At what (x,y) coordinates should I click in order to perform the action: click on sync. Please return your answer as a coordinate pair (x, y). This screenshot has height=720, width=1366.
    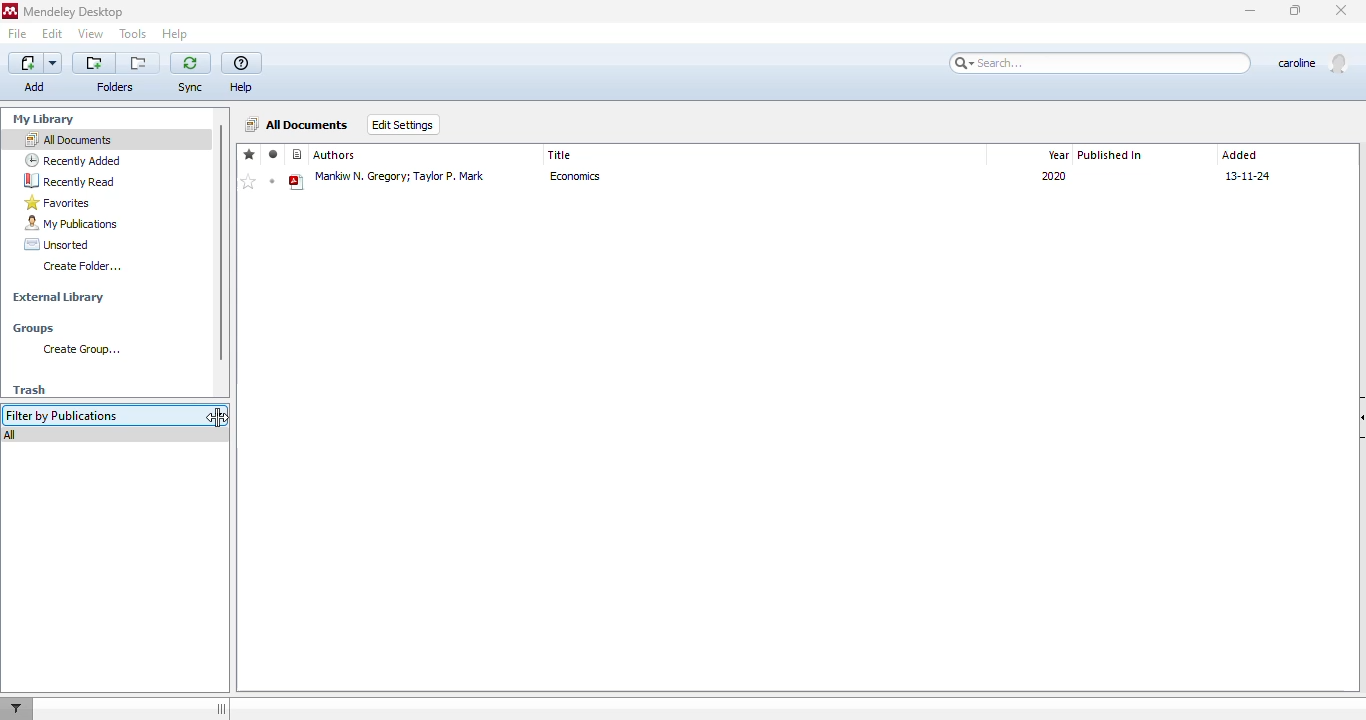
    Looking at the image, I should click on (190, 87).